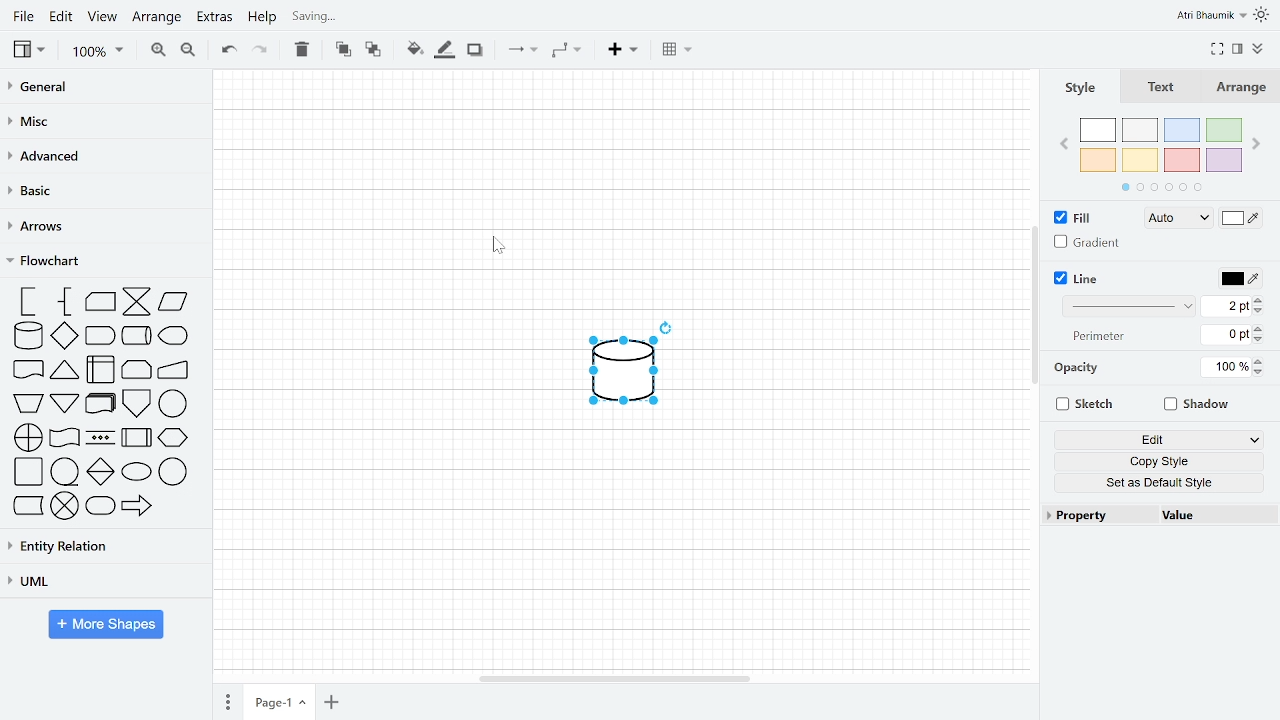 The image size is (1280, 720). Describe the element at coordinates (26, 402) in the screenshot. I see `manual operation` at that location.